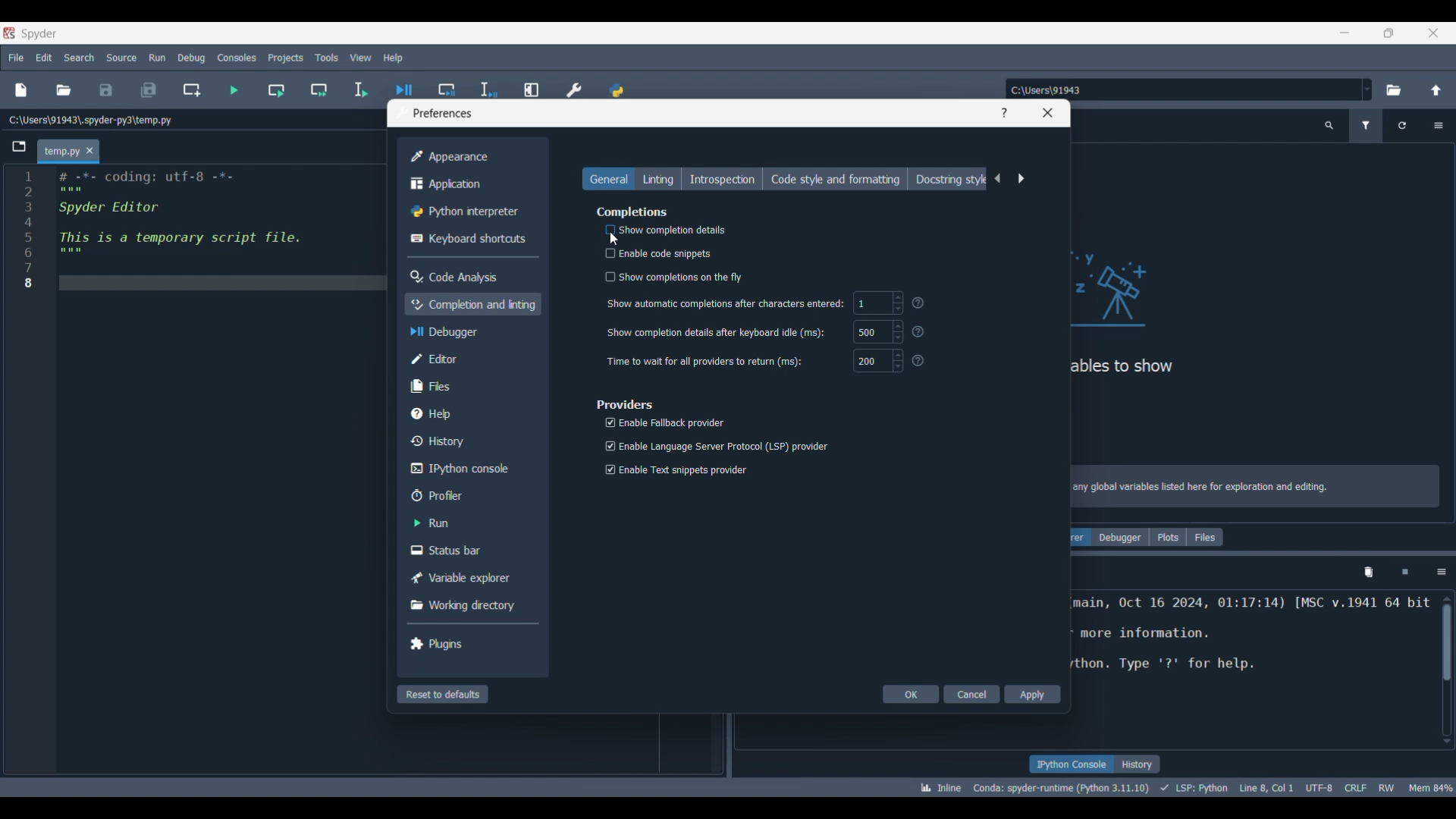  Describe the element at coordinates (89, 150) in the screenshot. I see `Close tab` at that location.